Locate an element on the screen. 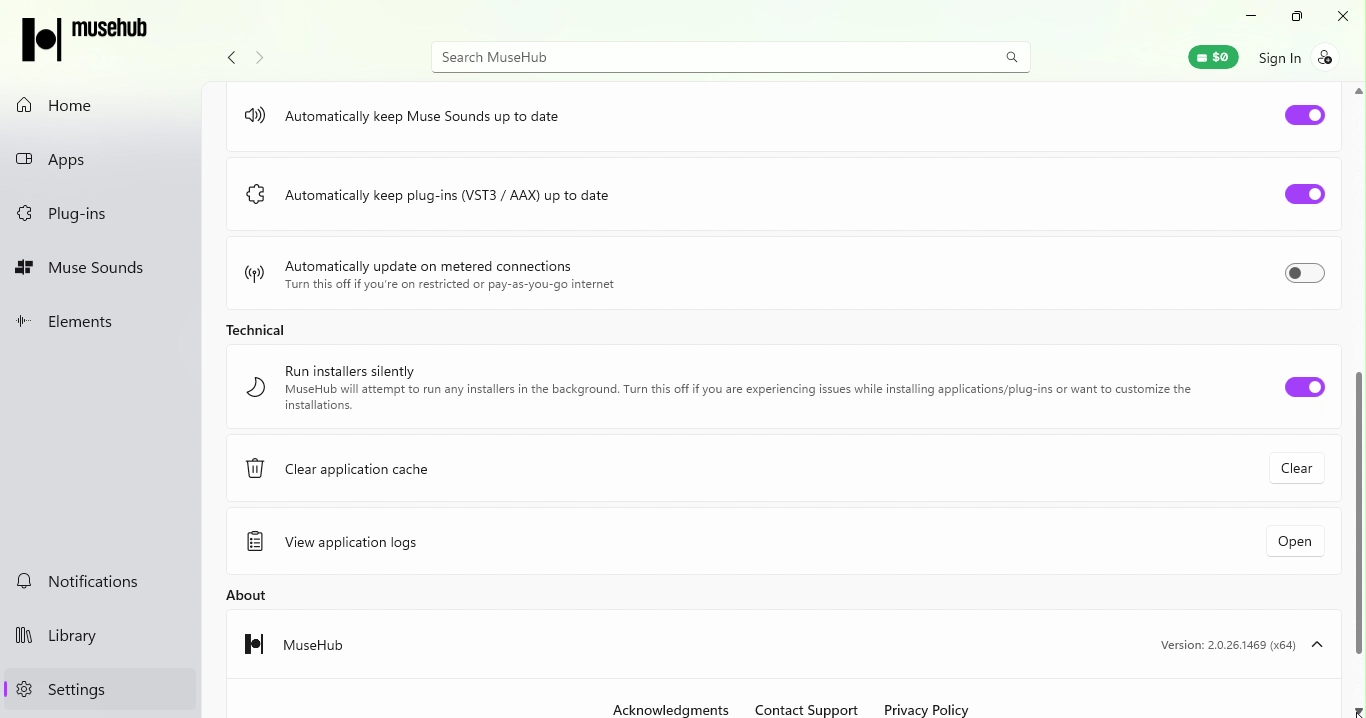 The image size is (1366, 718). Privacy policy is located at coordinates (930, 708).